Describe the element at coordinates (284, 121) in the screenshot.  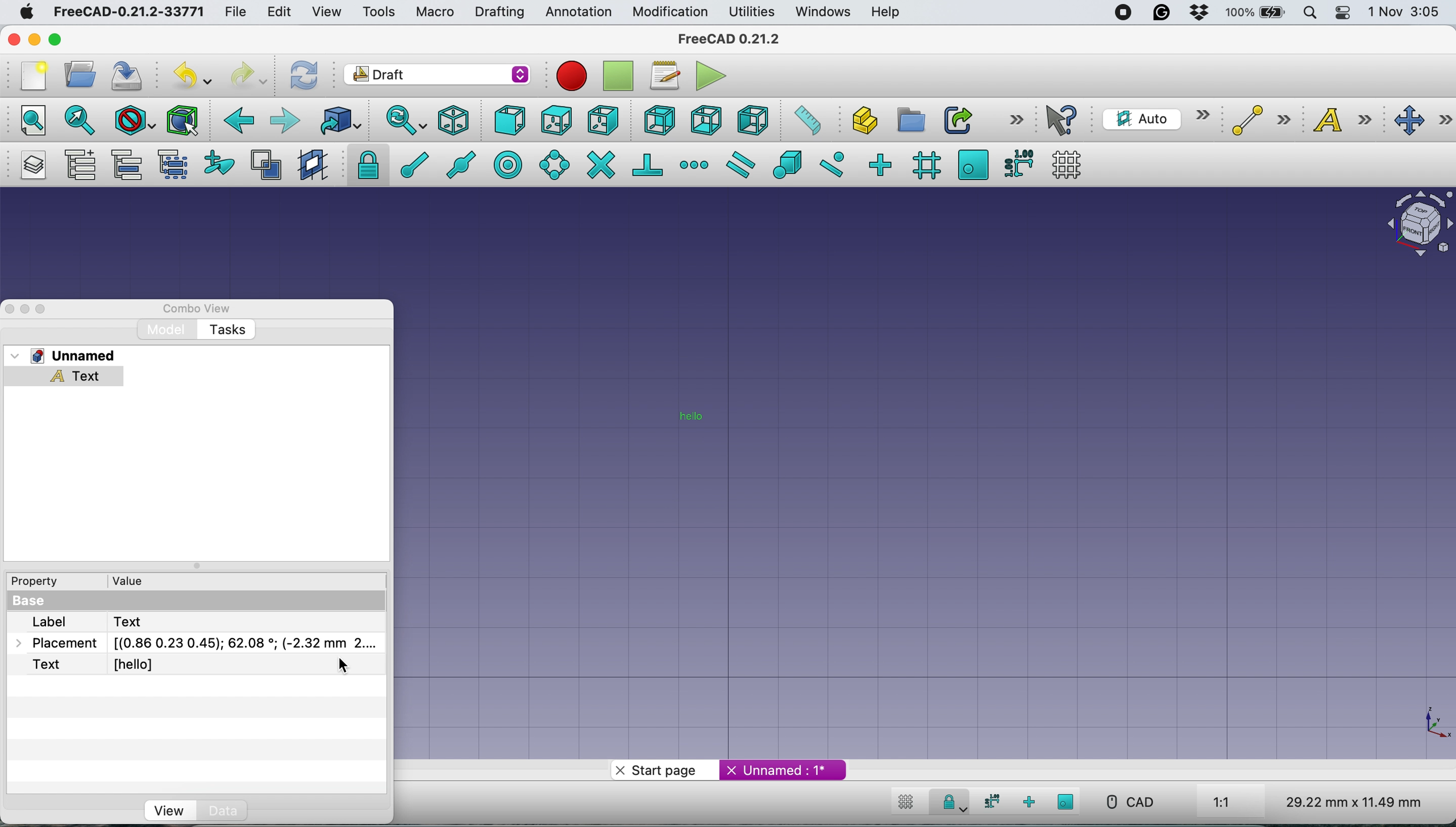
I see `forward` at that location.